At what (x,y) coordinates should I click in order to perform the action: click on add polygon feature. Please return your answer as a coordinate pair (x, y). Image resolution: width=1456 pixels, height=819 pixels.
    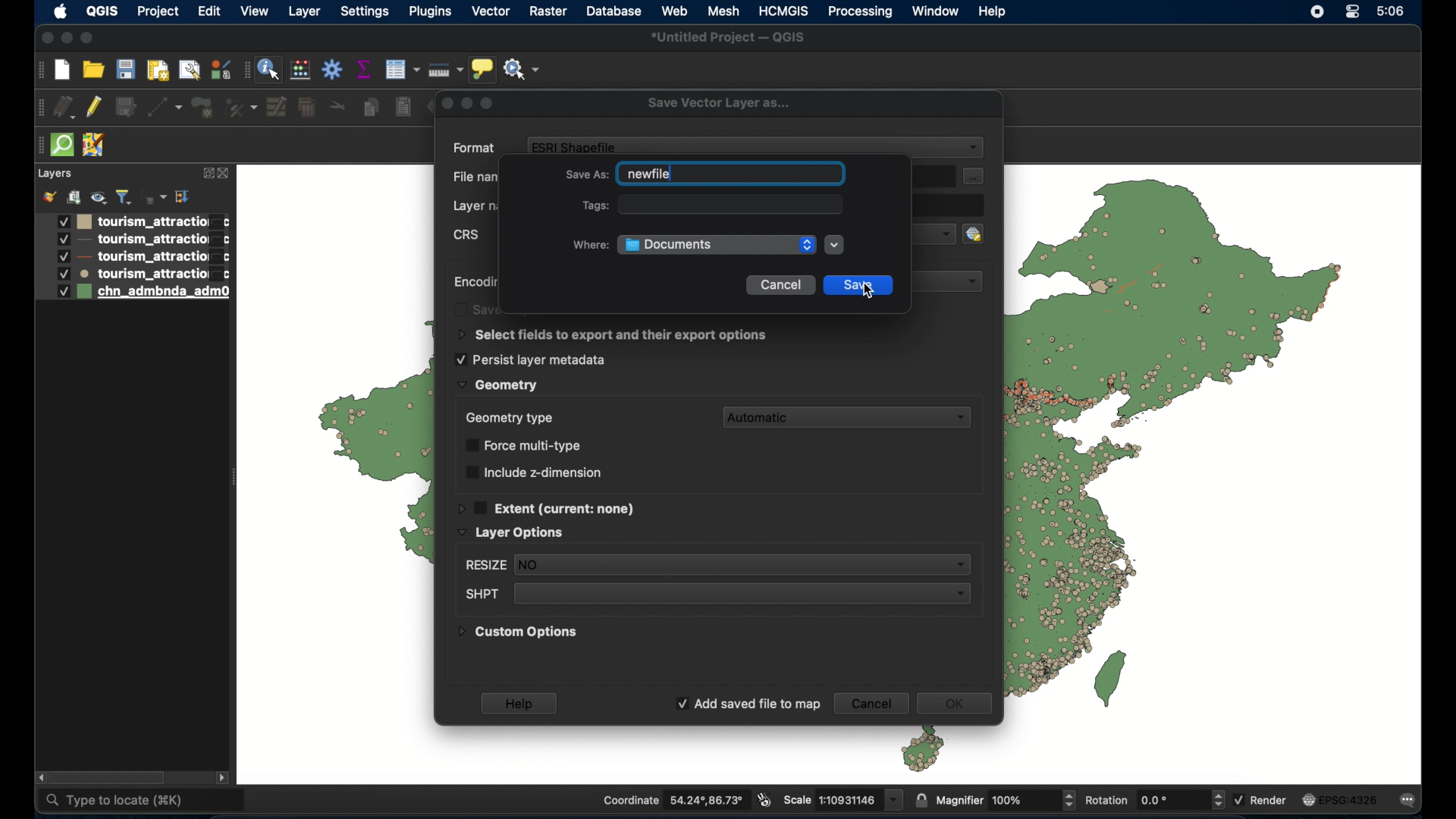
    Looking at the image, I should click on (205, 108).